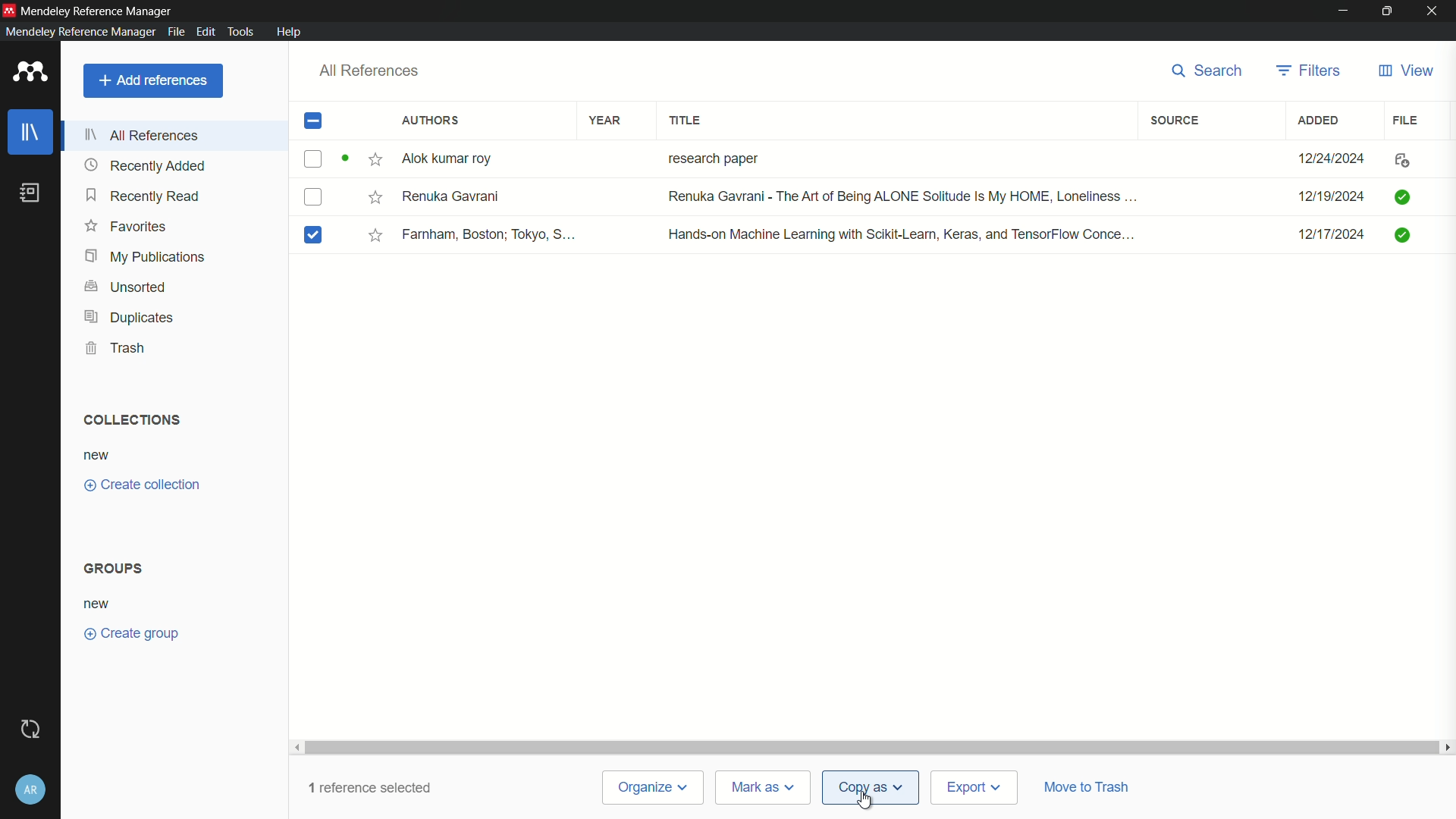  I want to click on account and help, so click(31, 786).